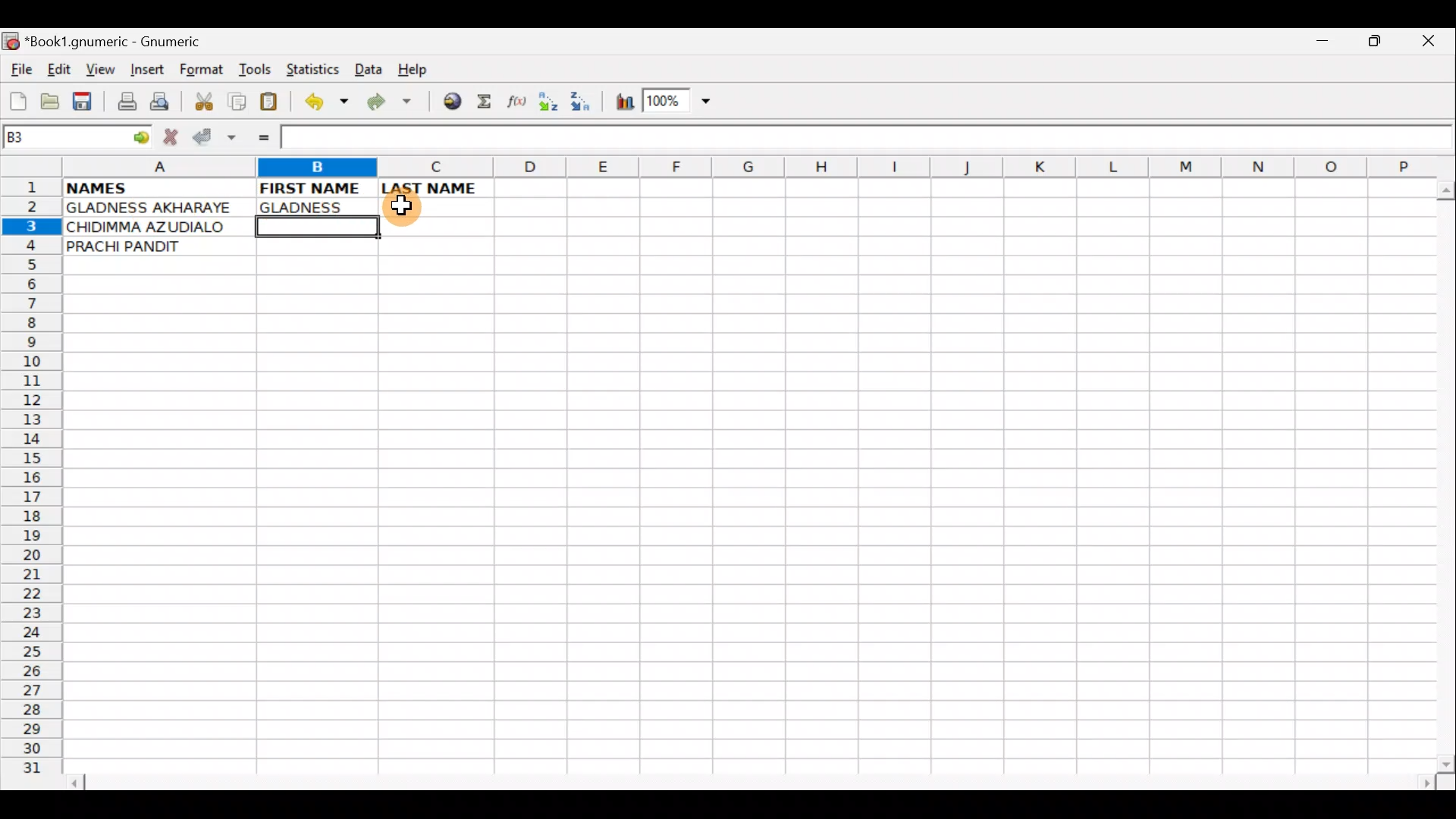 The height and width of the screenshot is (819, 1456). I want to click on Redo undone action, so click(393, 104).